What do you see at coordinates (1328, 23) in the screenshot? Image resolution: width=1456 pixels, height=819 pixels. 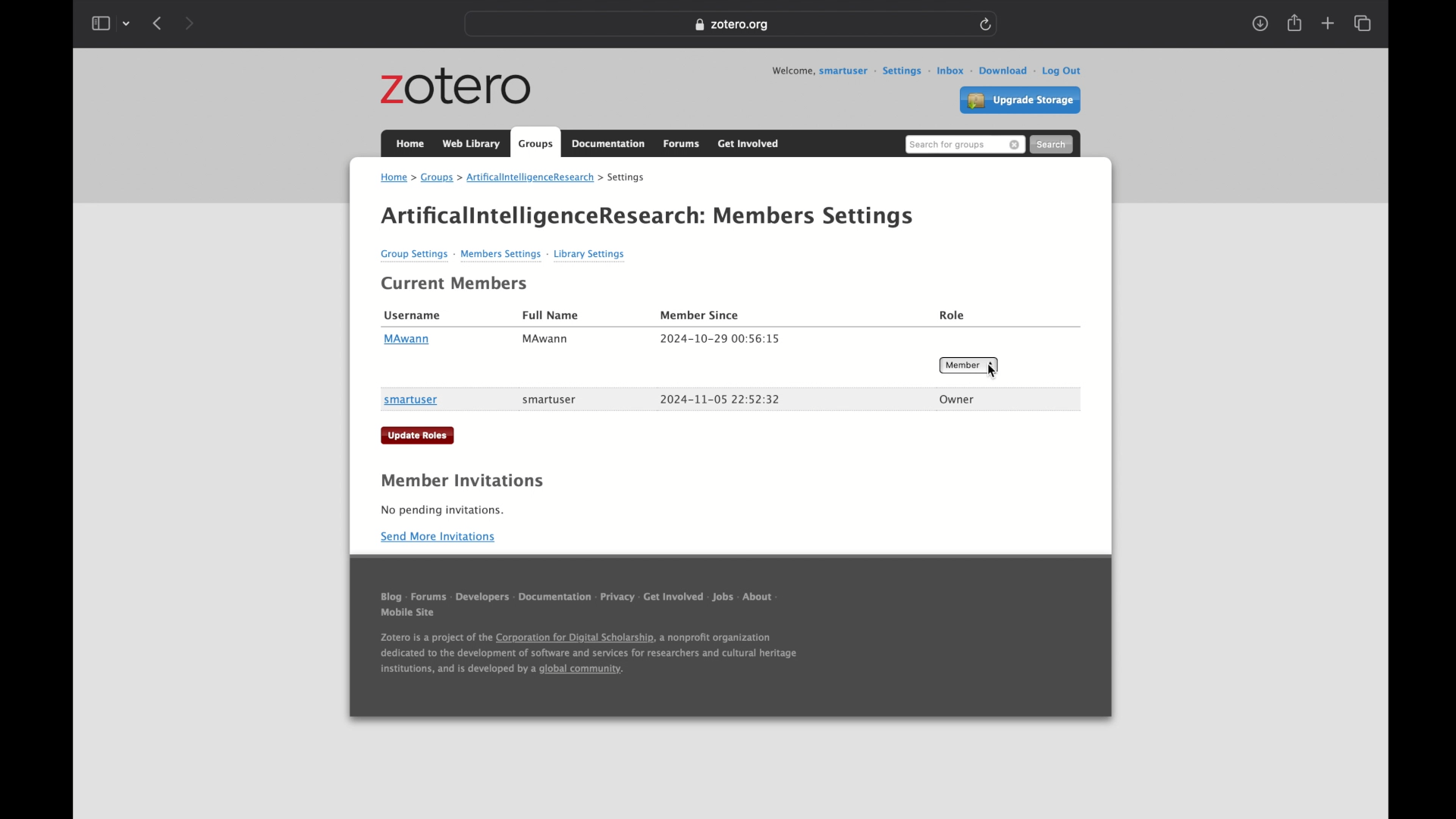 I see `new tab` at bounding box center [1328, 23].